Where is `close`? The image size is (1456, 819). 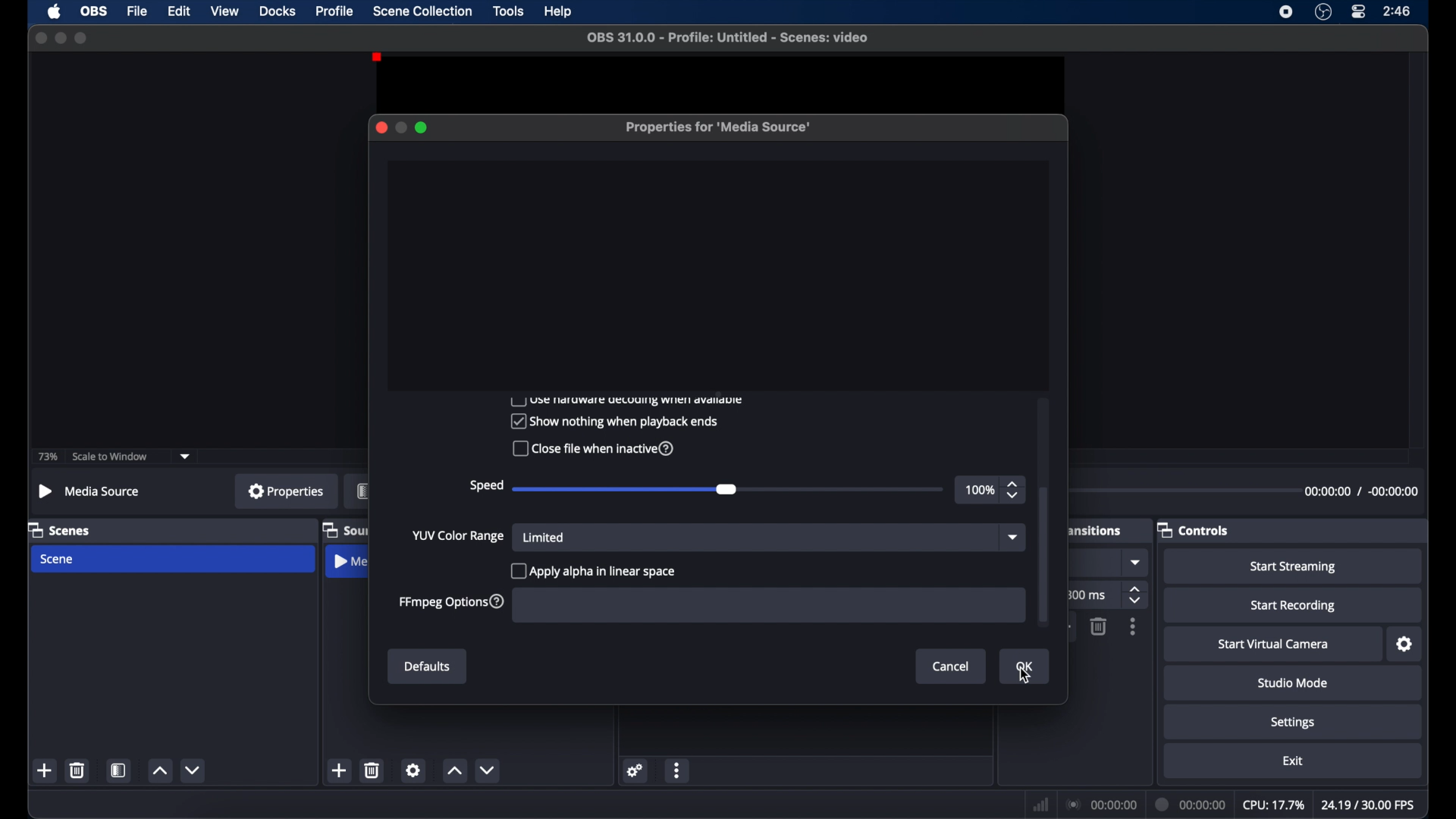 close is located at coordinates (38, 37).